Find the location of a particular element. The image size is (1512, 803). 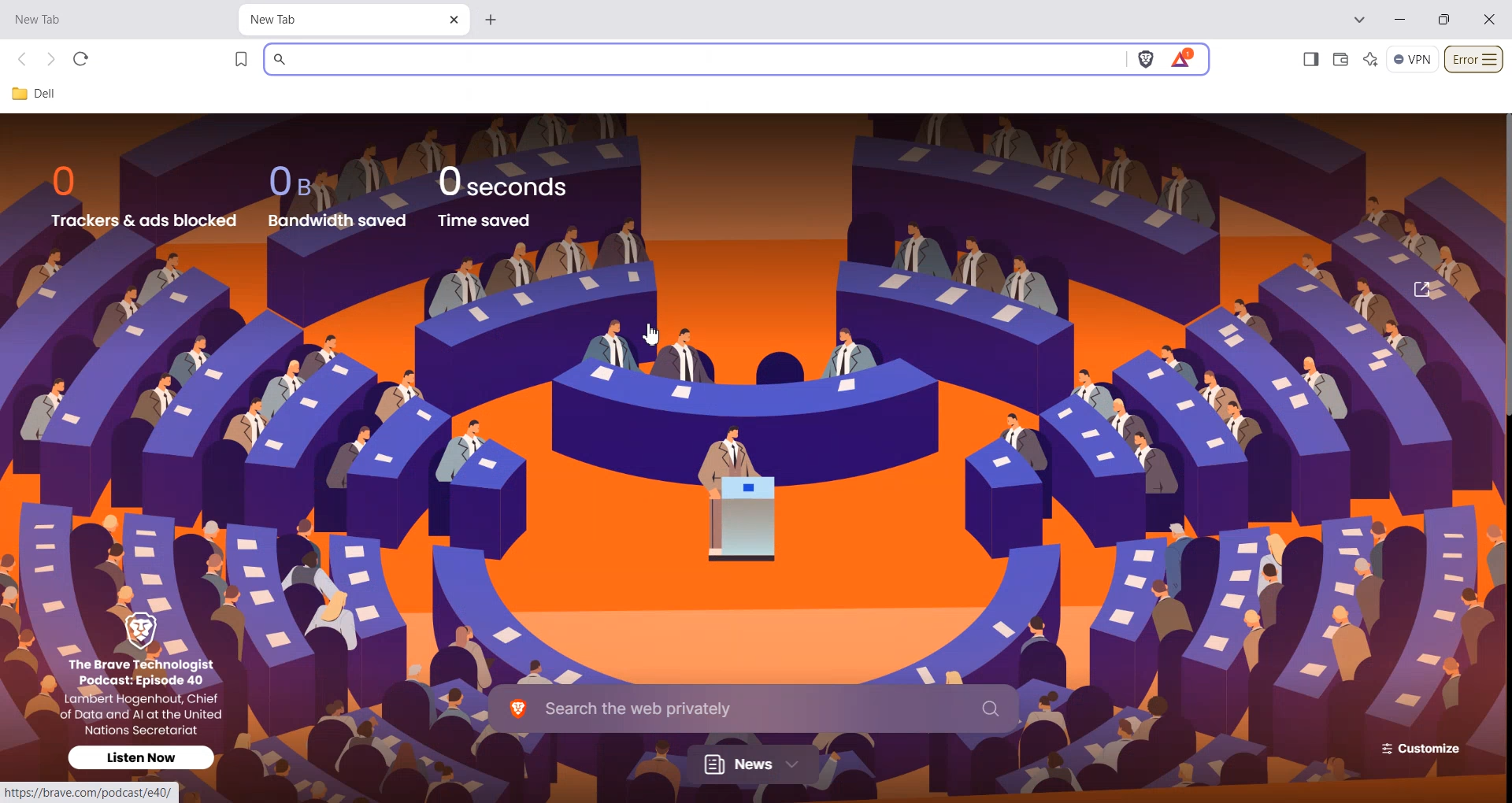

Bookmark is located at coordinates (242, 59).